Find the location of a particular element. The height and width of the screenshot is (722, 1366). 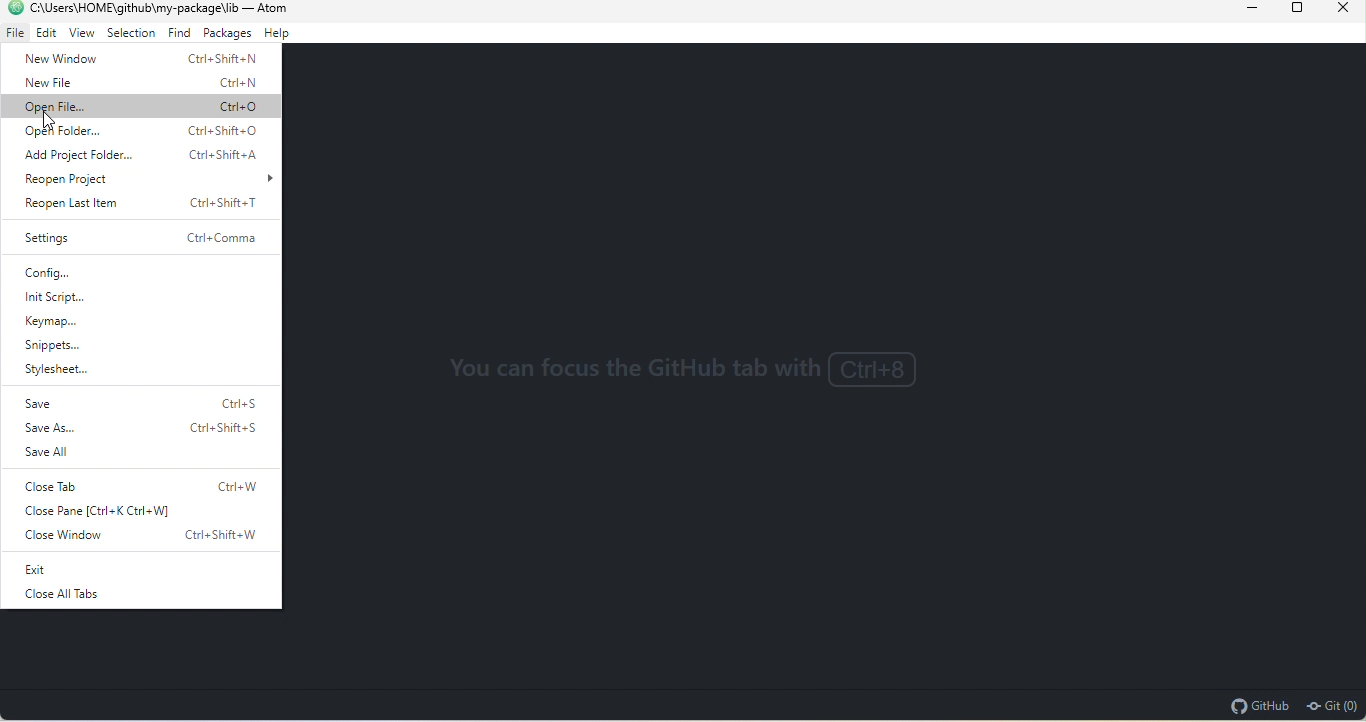

help is located at coordinates (279, 34).